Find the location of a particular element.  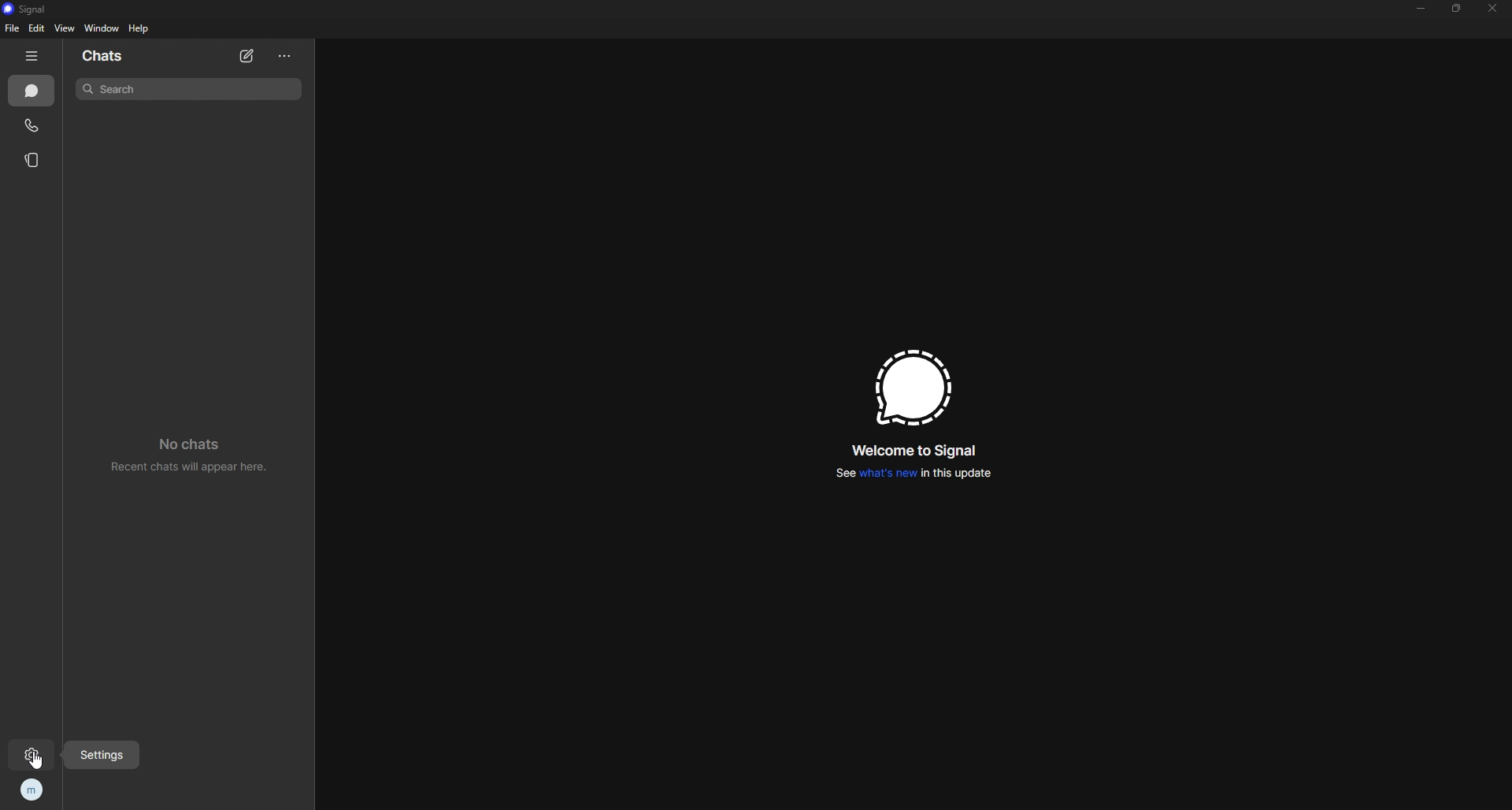

new chat is located at coordinates (248, 58).